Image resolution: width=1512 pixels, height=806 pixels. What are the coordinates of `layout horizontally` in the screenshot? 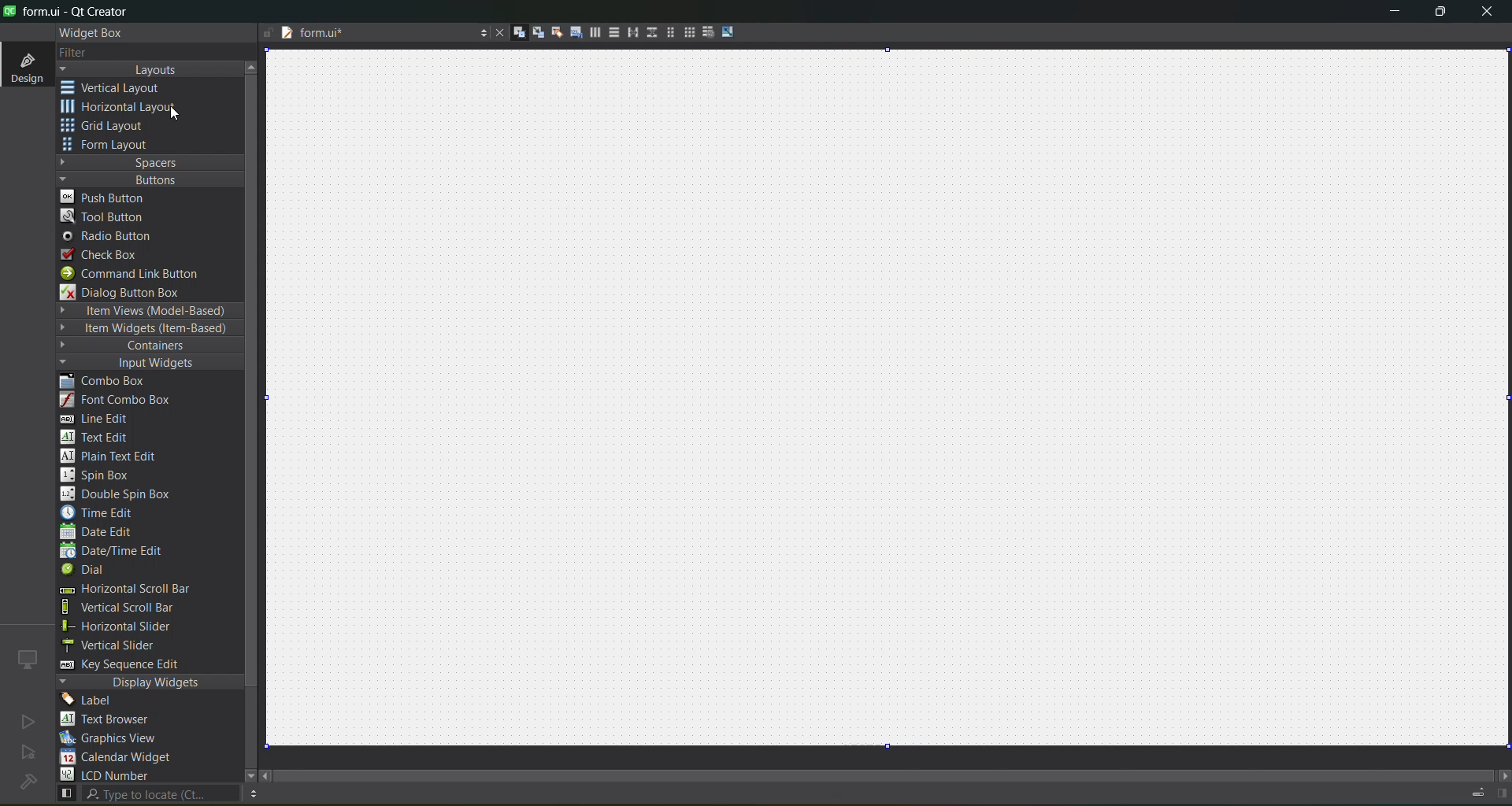 It's located at (590, 35).